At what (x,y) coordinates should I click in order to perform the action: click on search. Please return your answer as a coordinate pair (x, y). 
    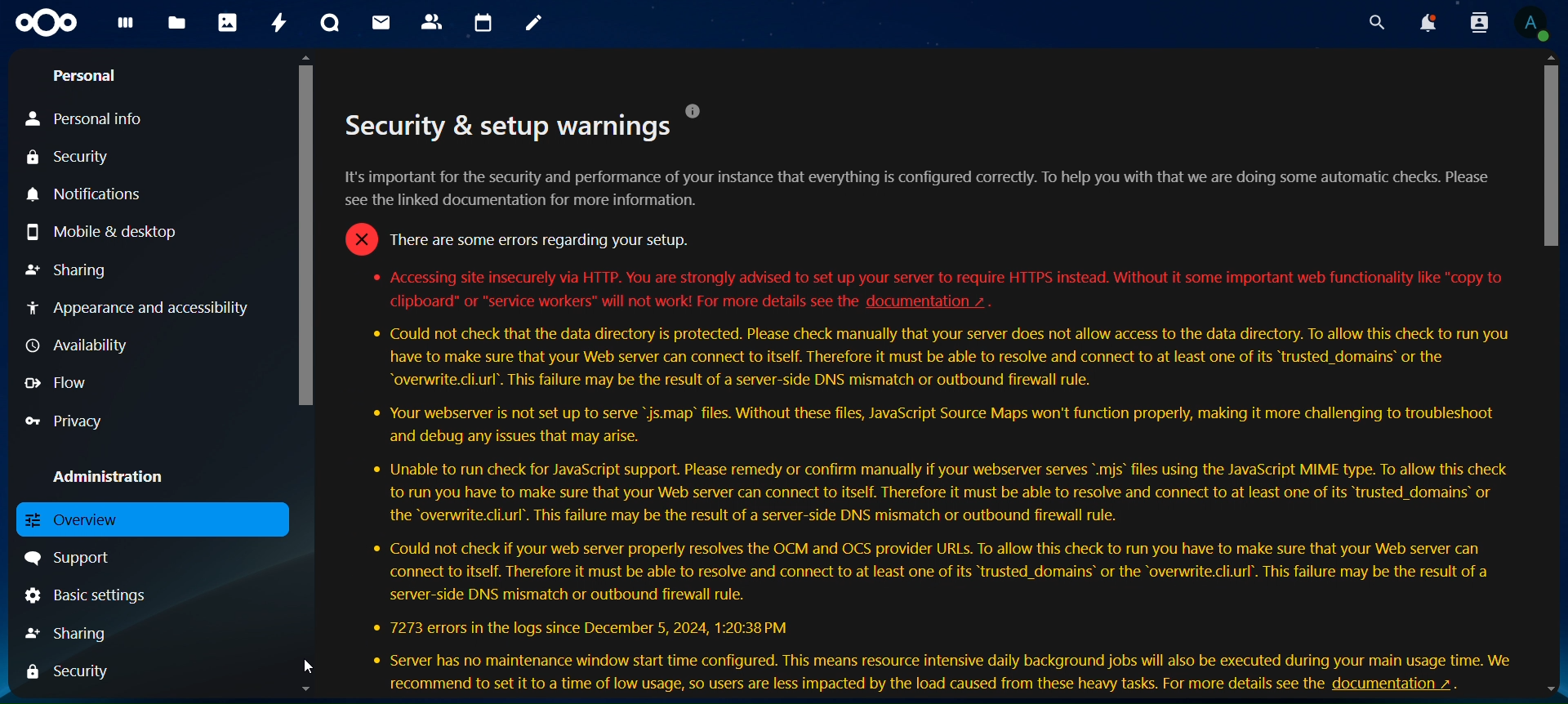
    Looking at the image, I should click on (1379, 23).